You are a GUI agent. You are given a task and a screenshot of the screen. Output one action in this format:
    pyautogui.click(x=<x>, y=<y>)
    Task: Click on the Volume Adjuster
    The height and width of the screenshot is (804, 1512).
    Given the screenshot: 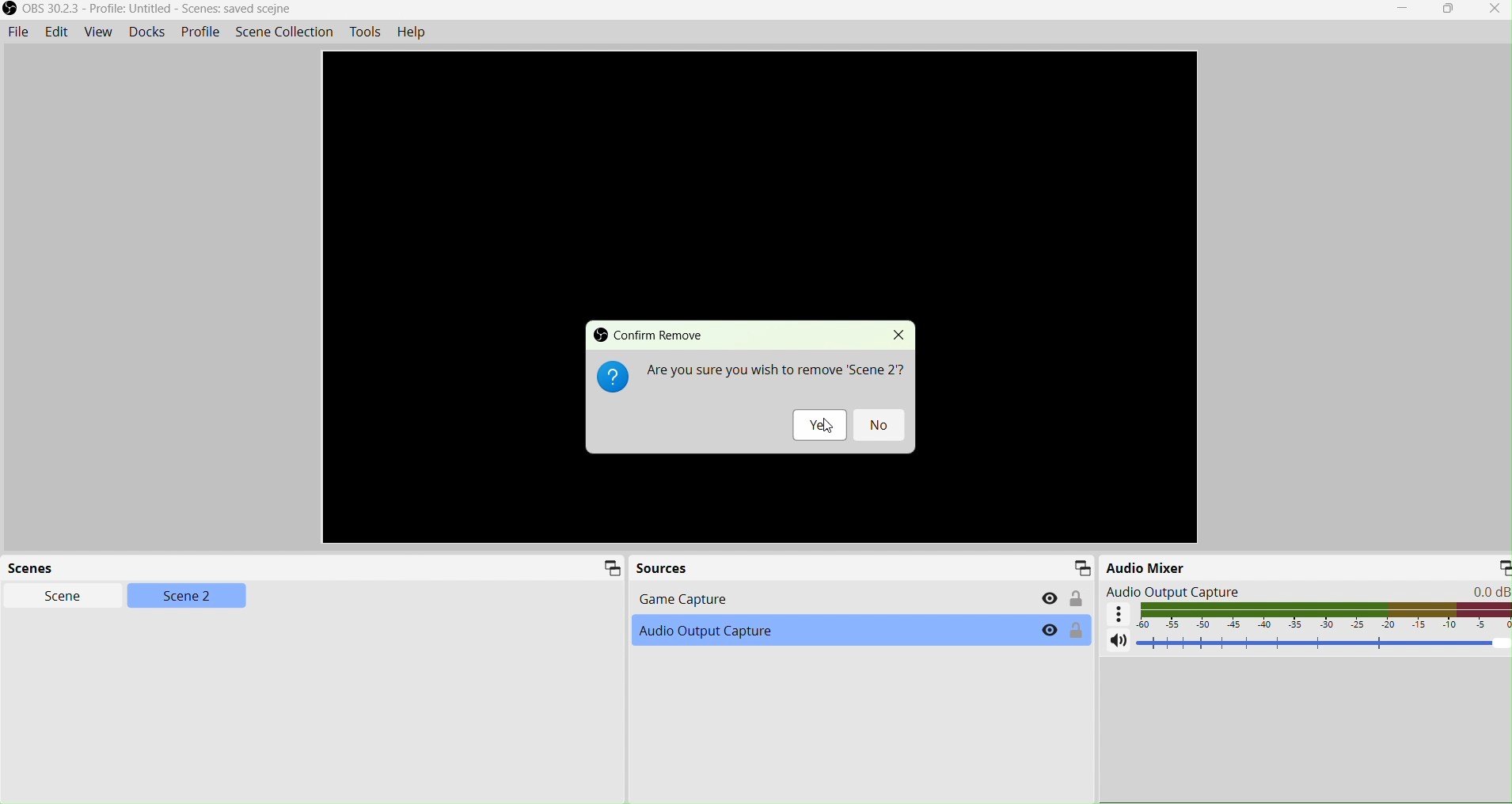 What is the action you would take?
    pyautogui.click(x=1325, y=643)
    